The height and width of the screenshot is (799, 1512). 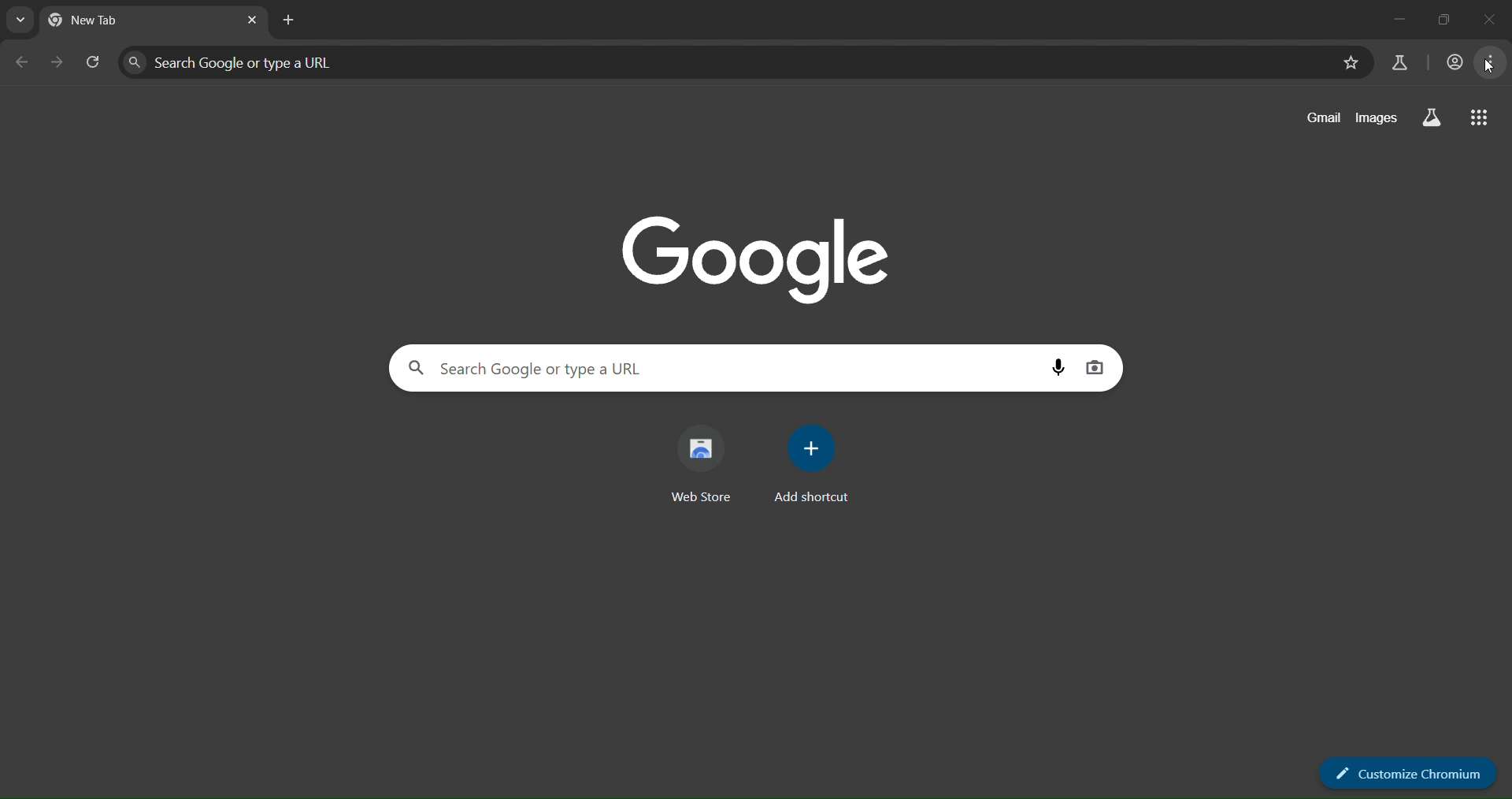 I want to click on search labs, so click(x=1433, y=119).